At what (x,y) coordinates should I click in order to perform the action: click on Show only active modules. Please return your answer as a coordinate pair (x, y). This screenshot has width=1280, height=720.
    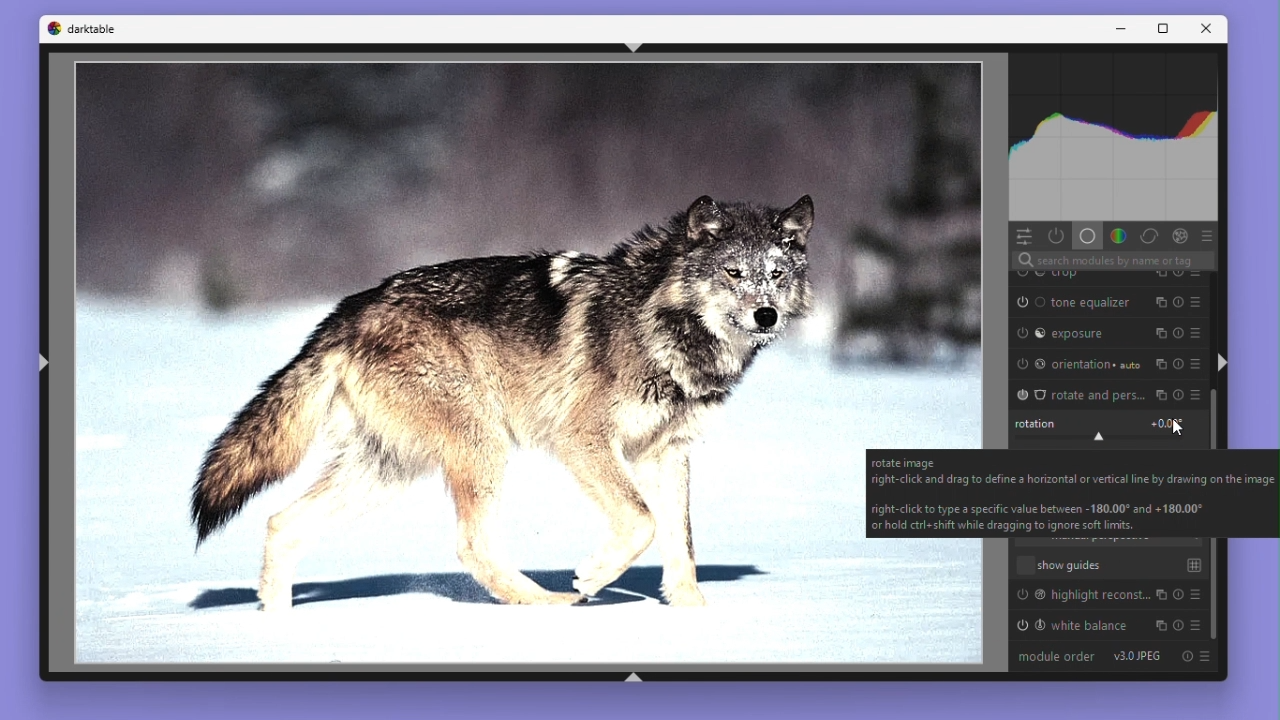
    Looking at the image, I should click on (1058, 235).